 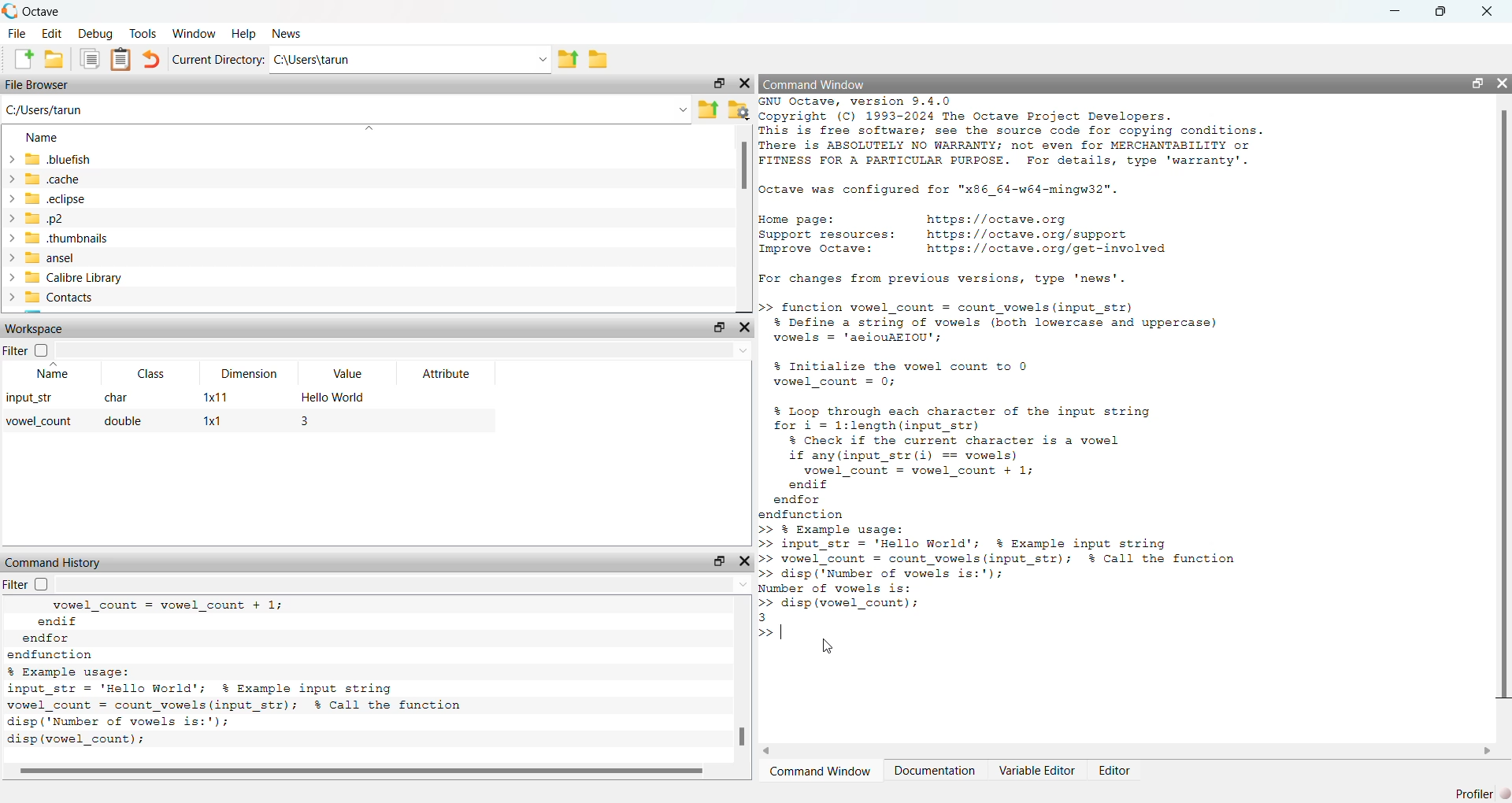 I want to click on sort, so click(x=369, y=128).